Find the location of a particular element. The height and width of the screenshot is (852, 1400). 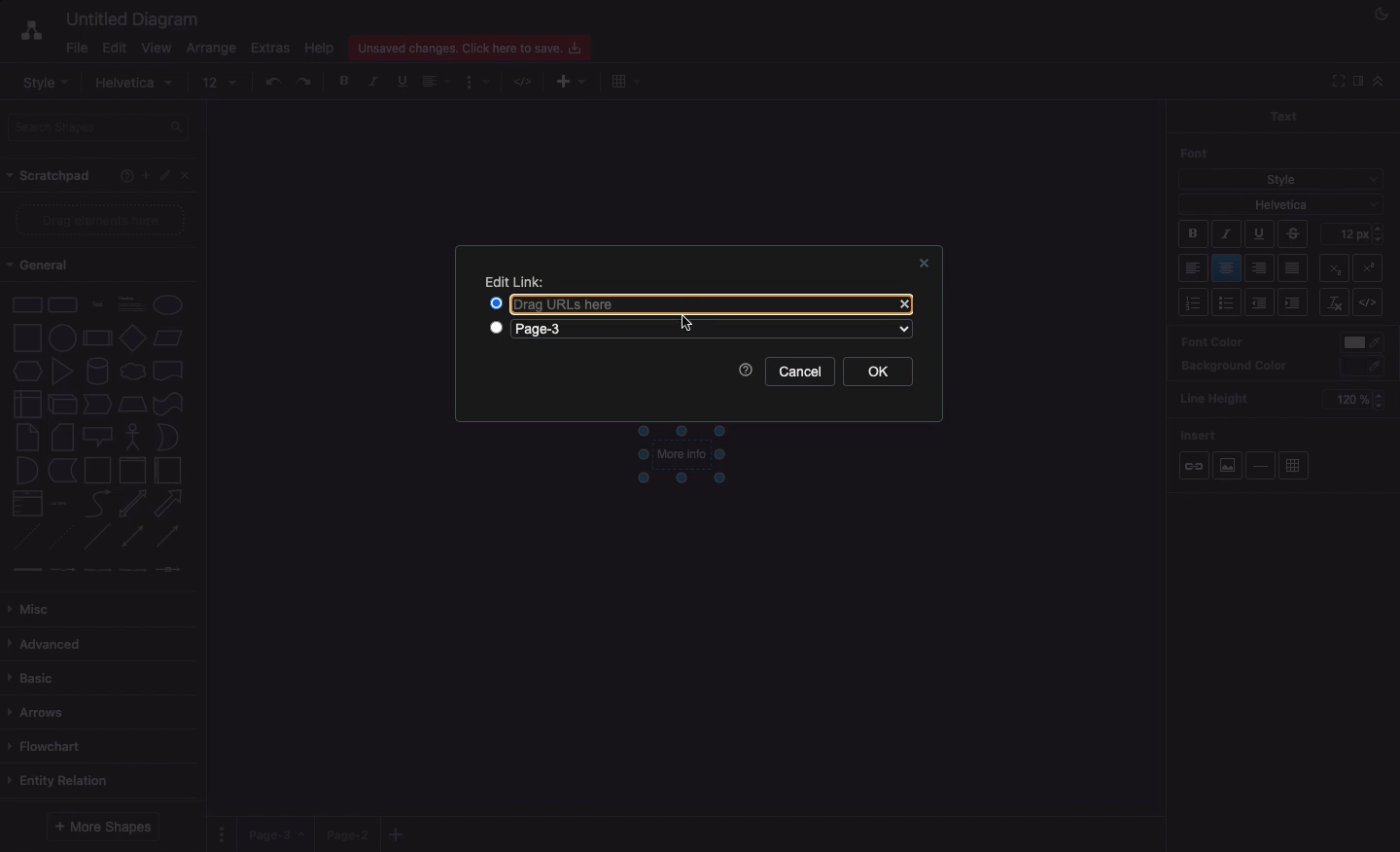

Font color is located at coordinates (1211, 340).